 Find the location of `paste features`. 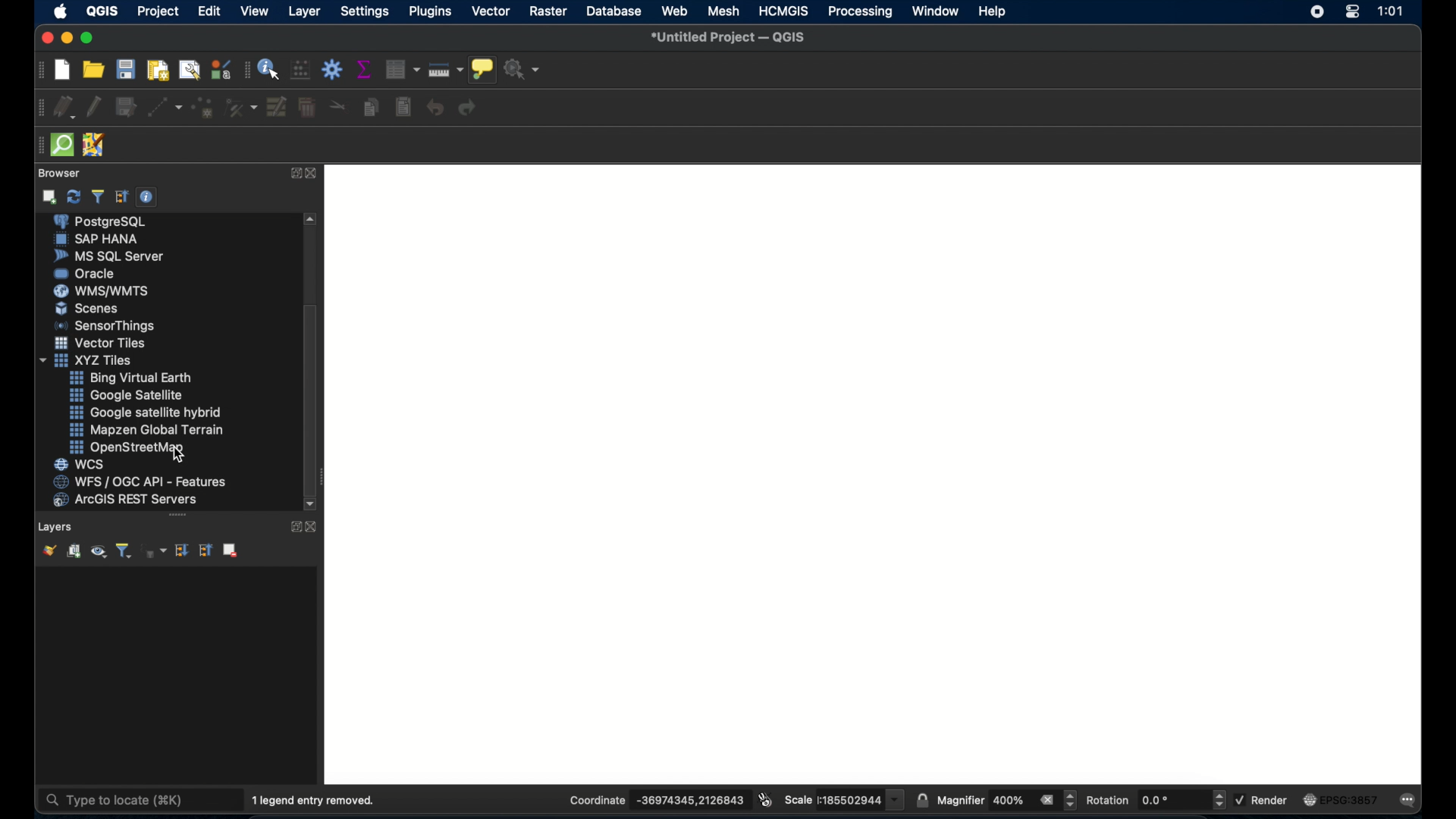

paste features is located at coordinates (403, 108).